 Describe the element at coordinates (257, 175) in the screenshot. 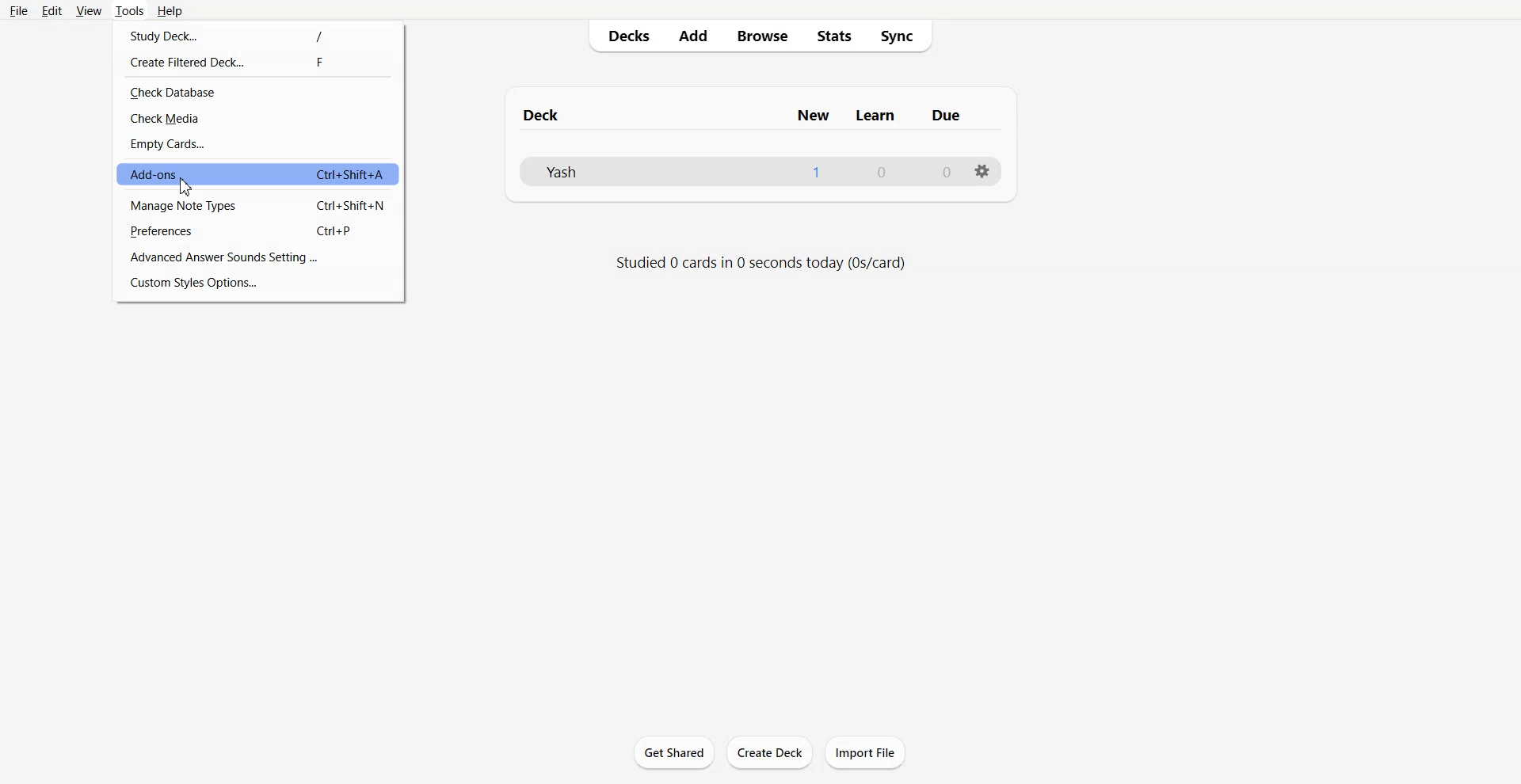

I see `Add-ons` at that location.